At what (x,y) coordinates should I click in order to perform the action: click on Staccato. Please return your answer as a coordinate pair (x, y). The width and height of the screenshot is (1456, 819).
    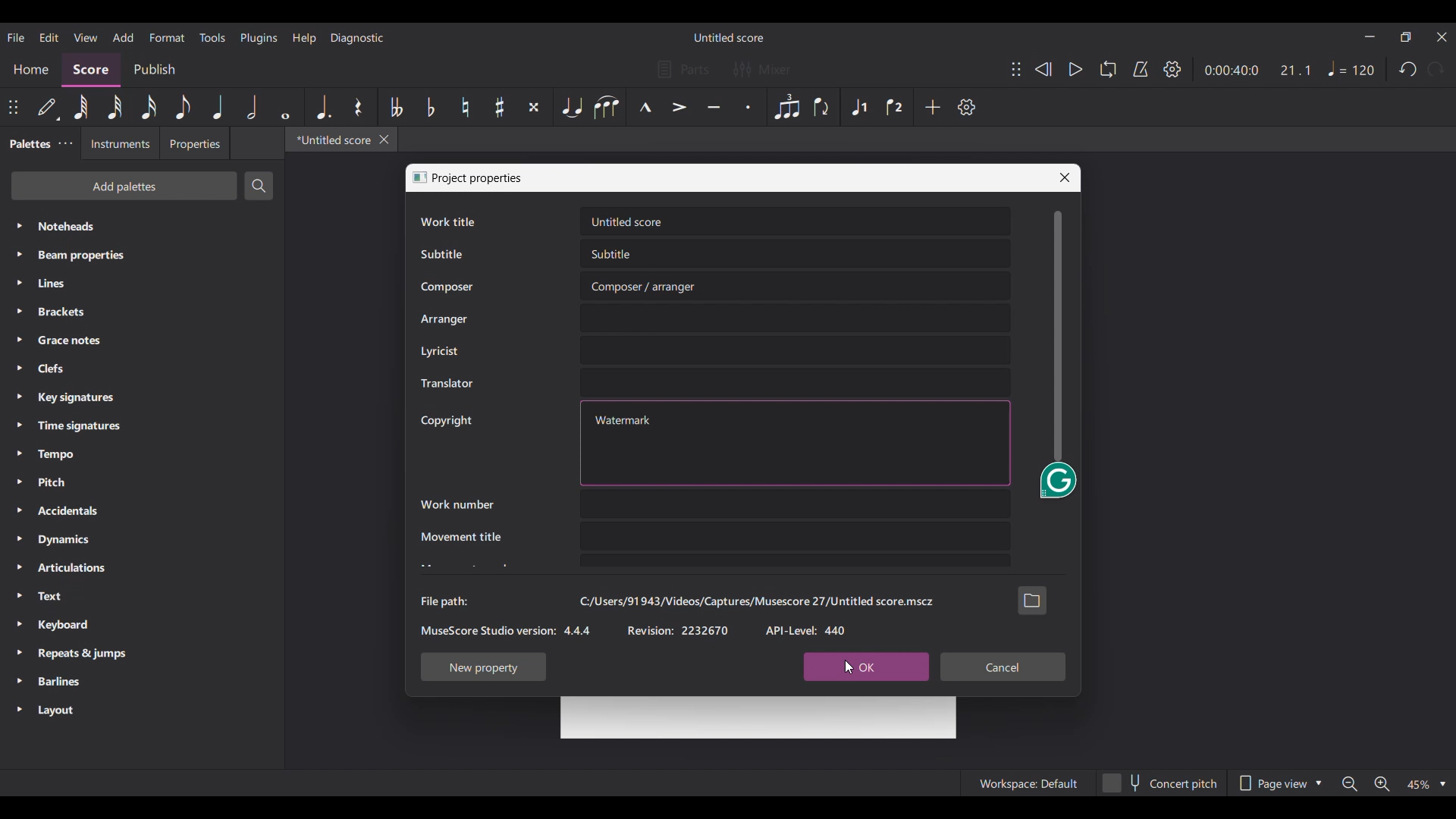
    Looking at the image, I should click on (748, 107).